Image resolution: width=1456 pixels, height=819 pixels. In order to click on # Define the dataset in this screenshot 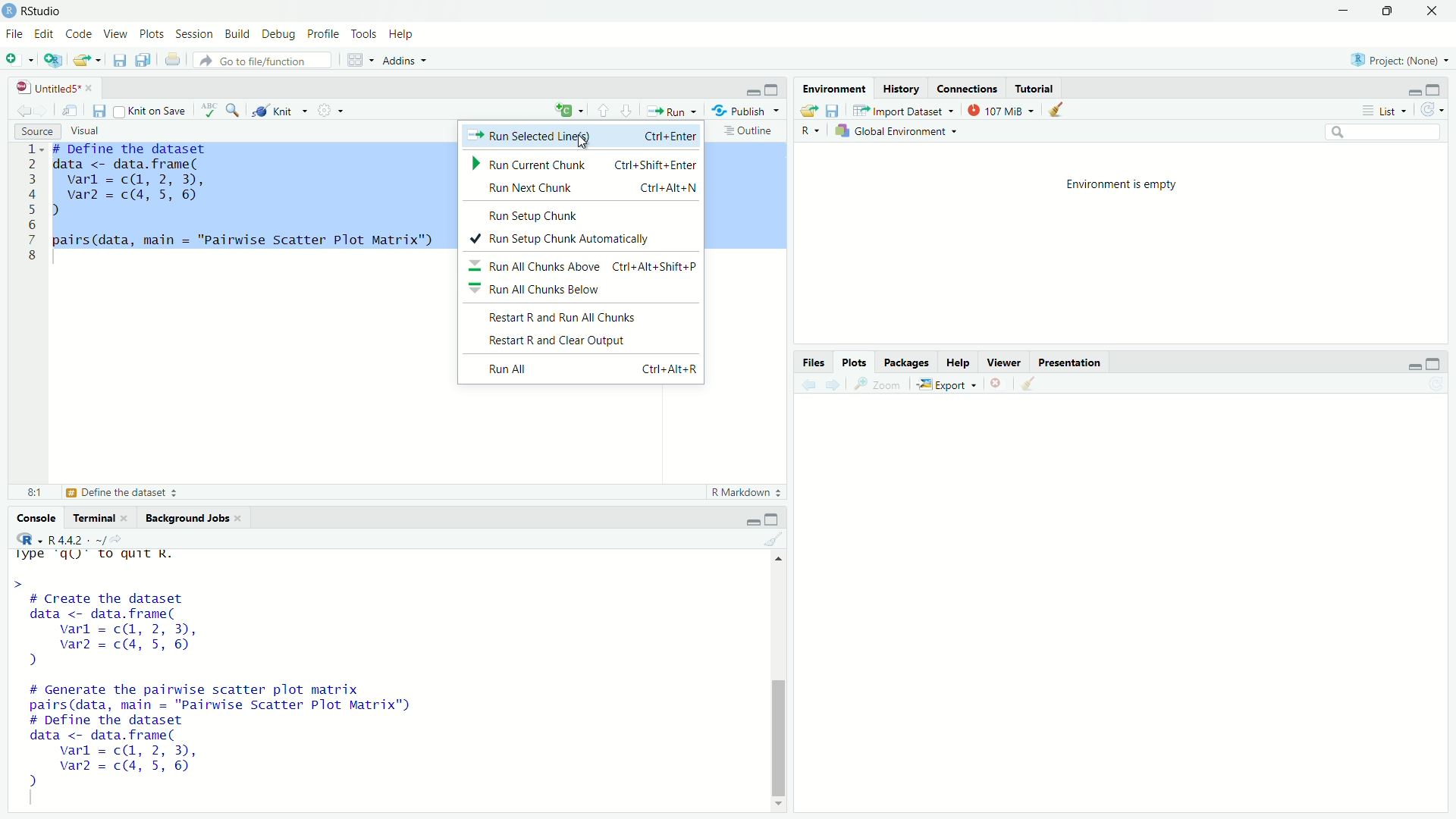, I will do `click(125, 493)`.